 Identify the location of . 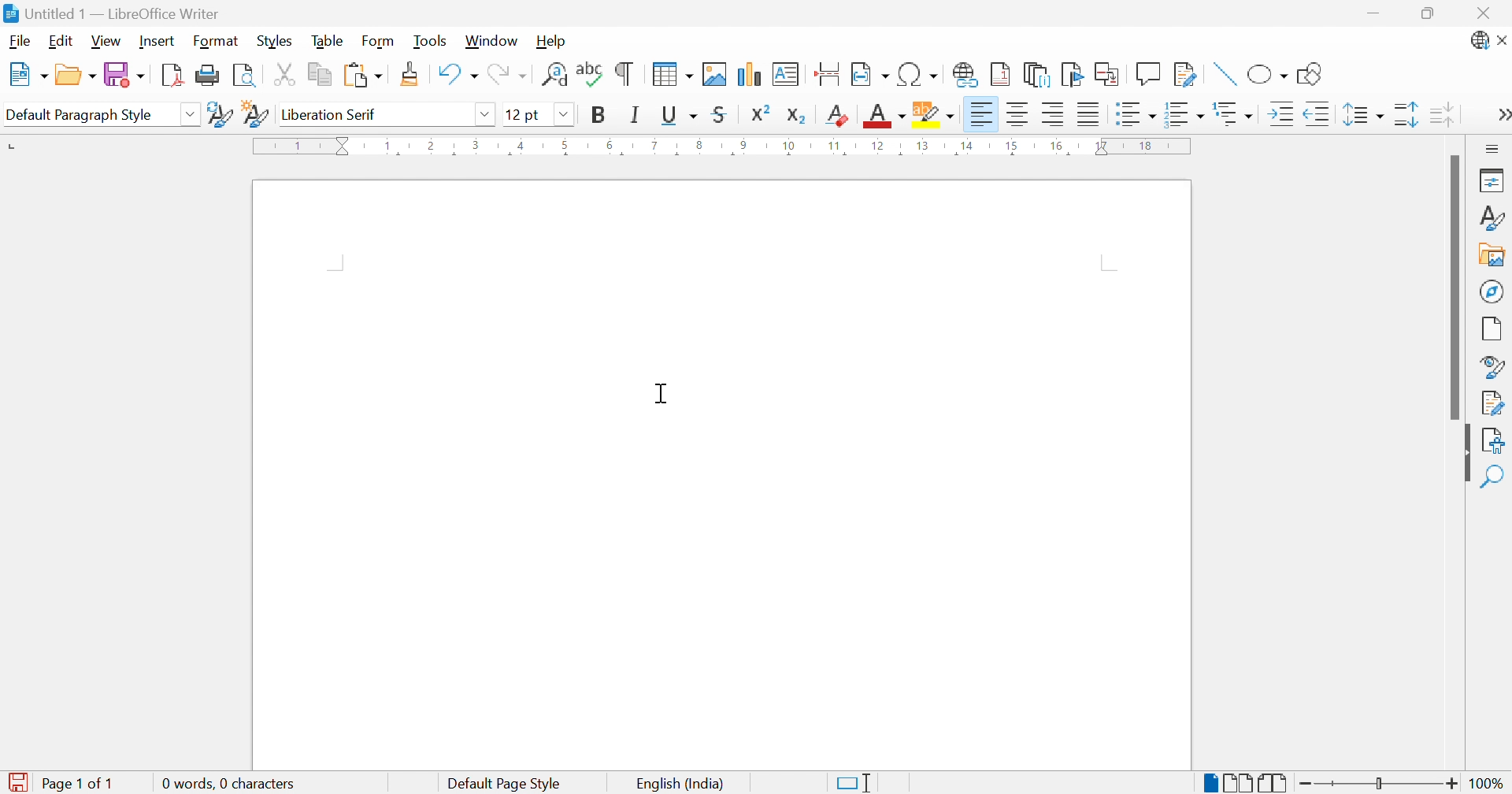
(409, 74).